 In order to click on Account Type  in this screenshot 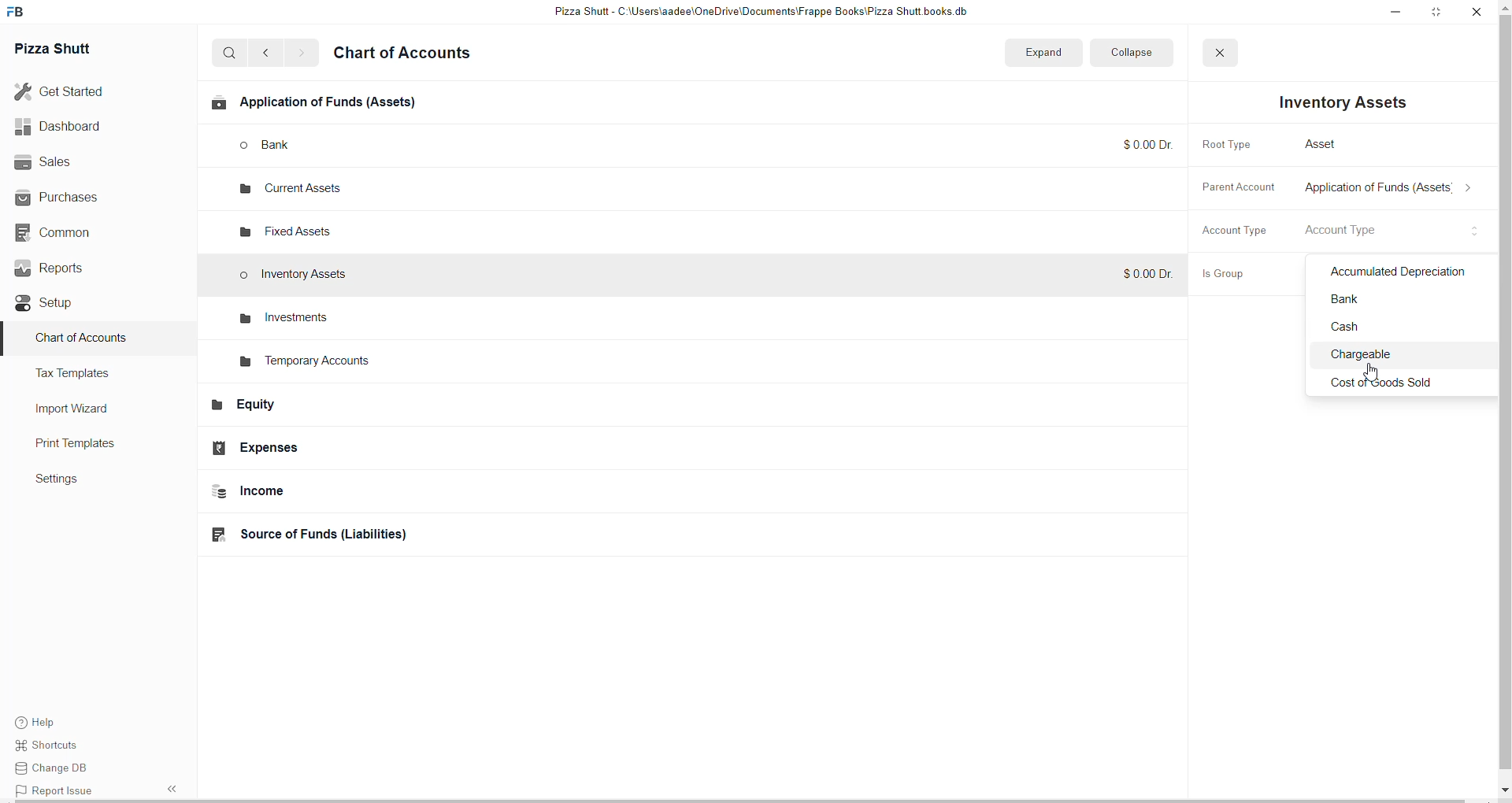, I will do `click(1232, 234)`.